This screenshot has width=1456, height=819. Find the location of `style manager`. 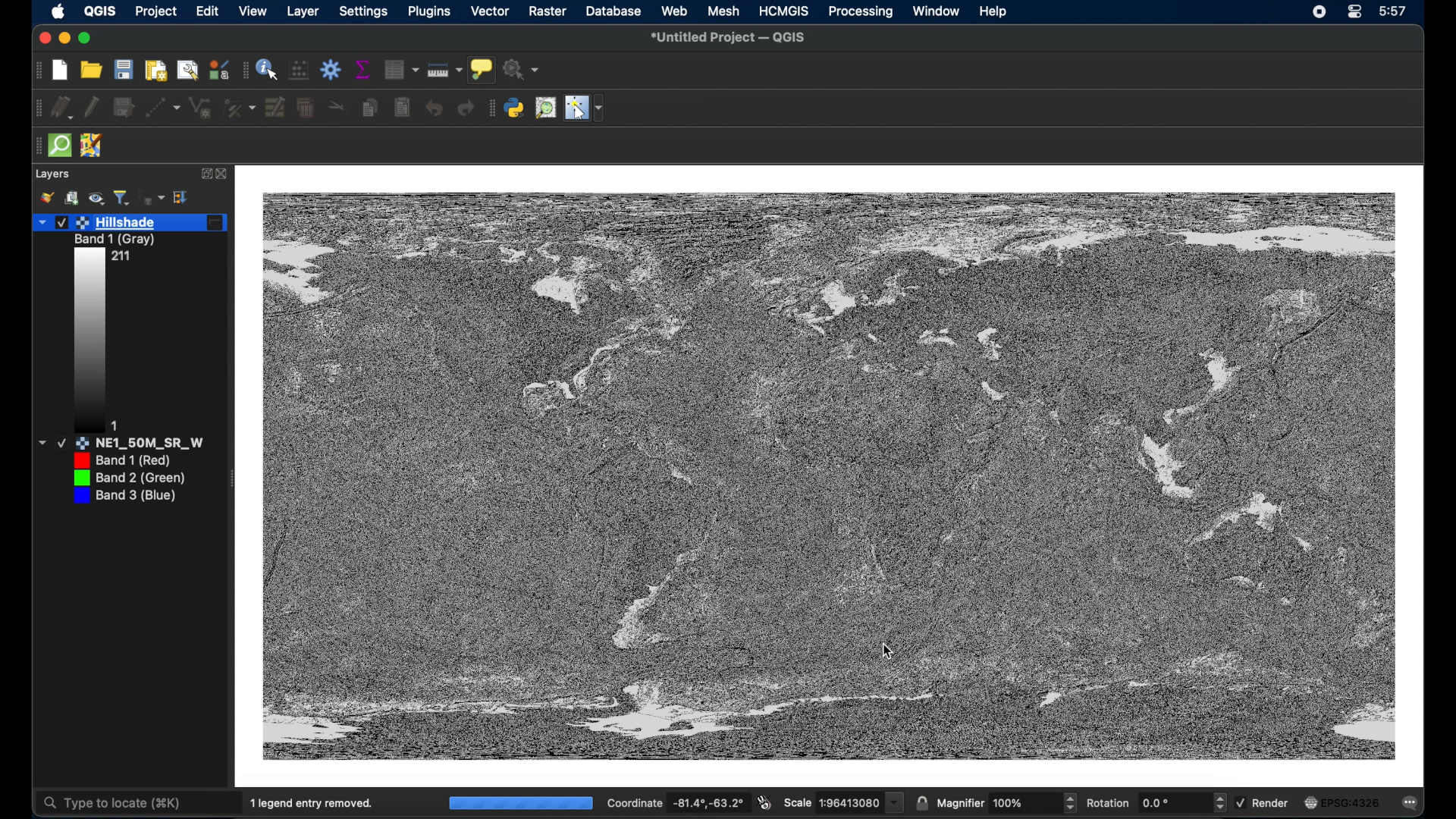

style manager is located at coordinates (218, 69).